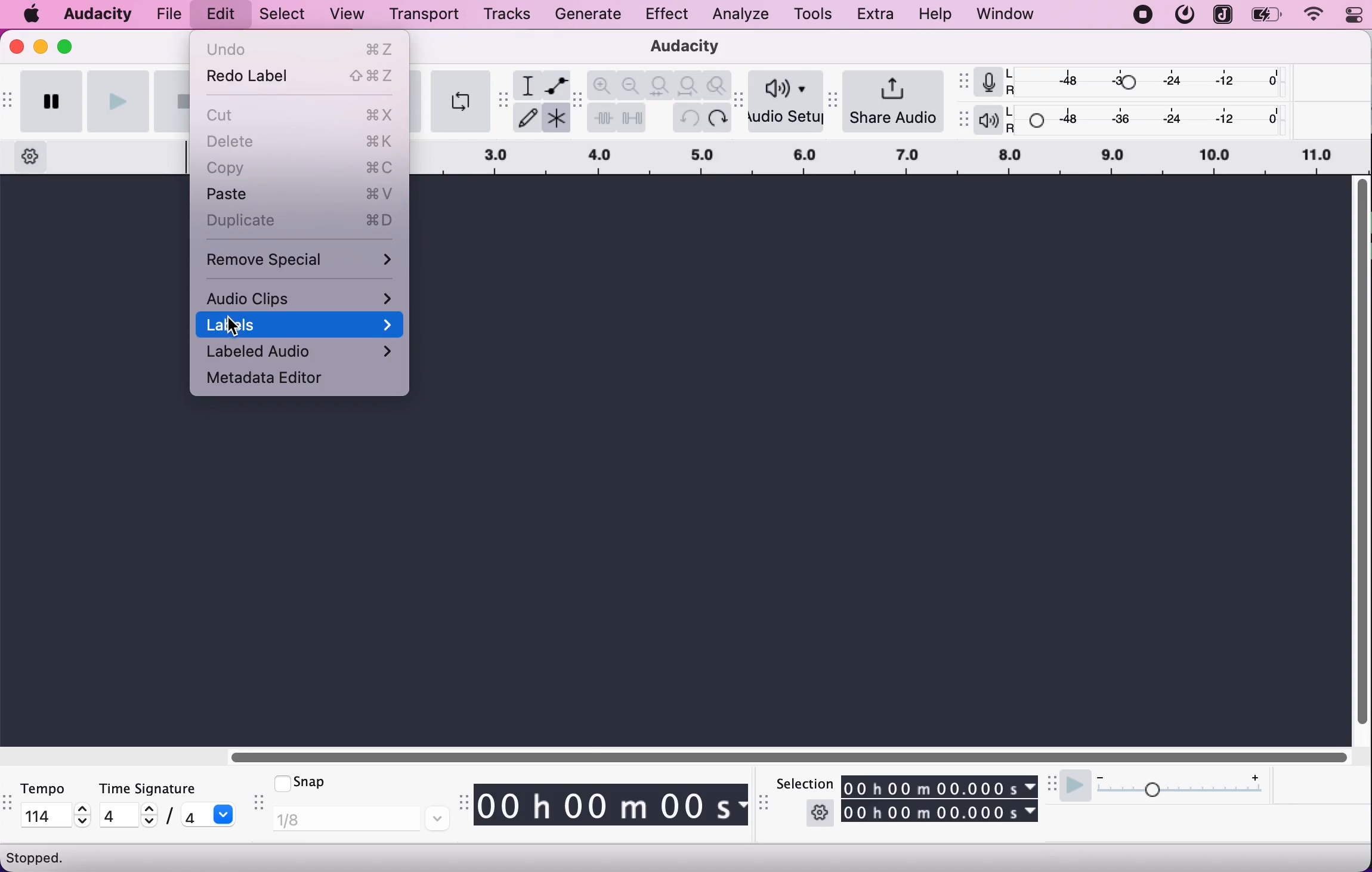  I want to click on window, so click(1006, 15).